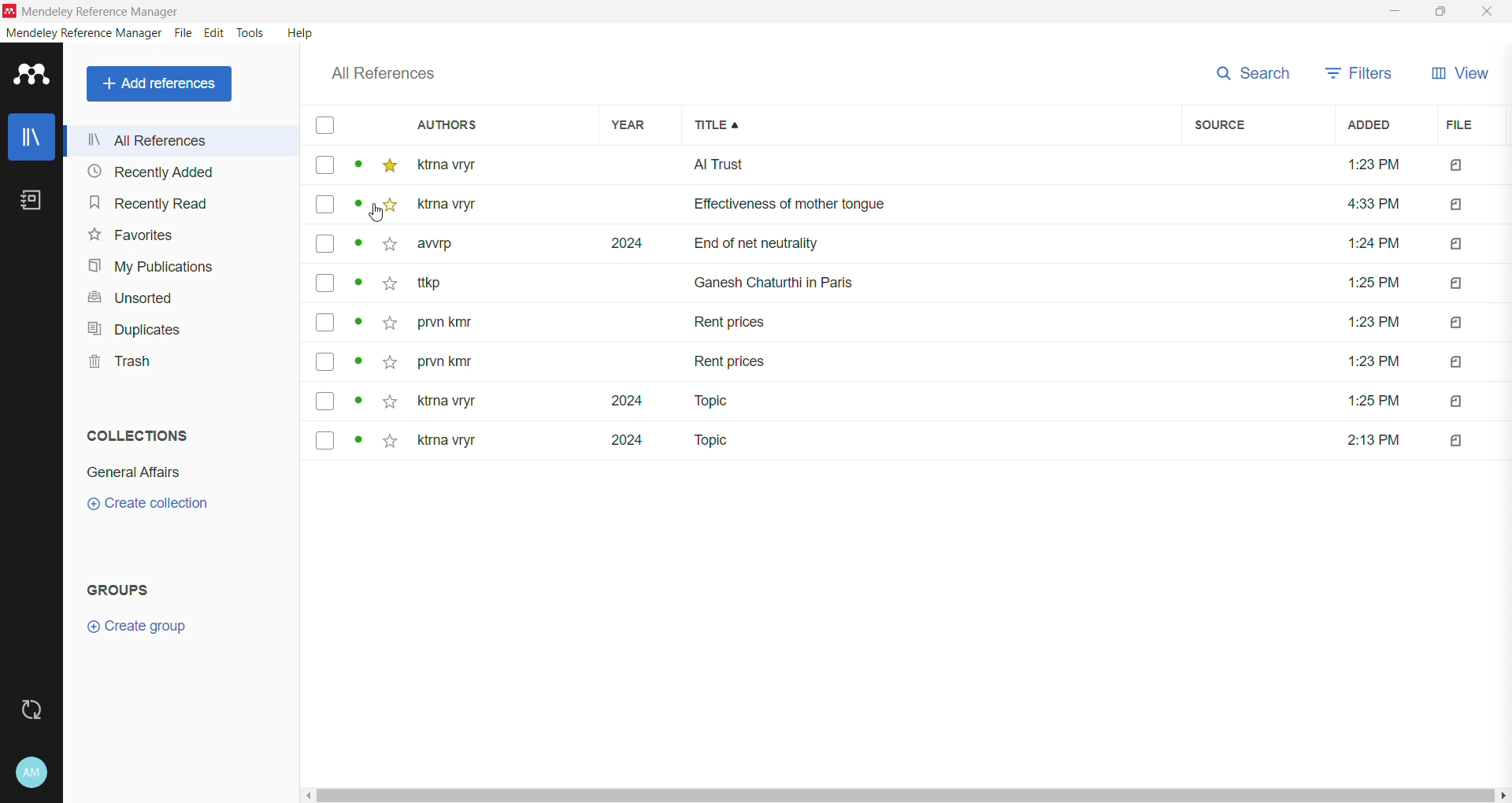 The image size is (1512, 803). I want to click on box, so click(325, 246).